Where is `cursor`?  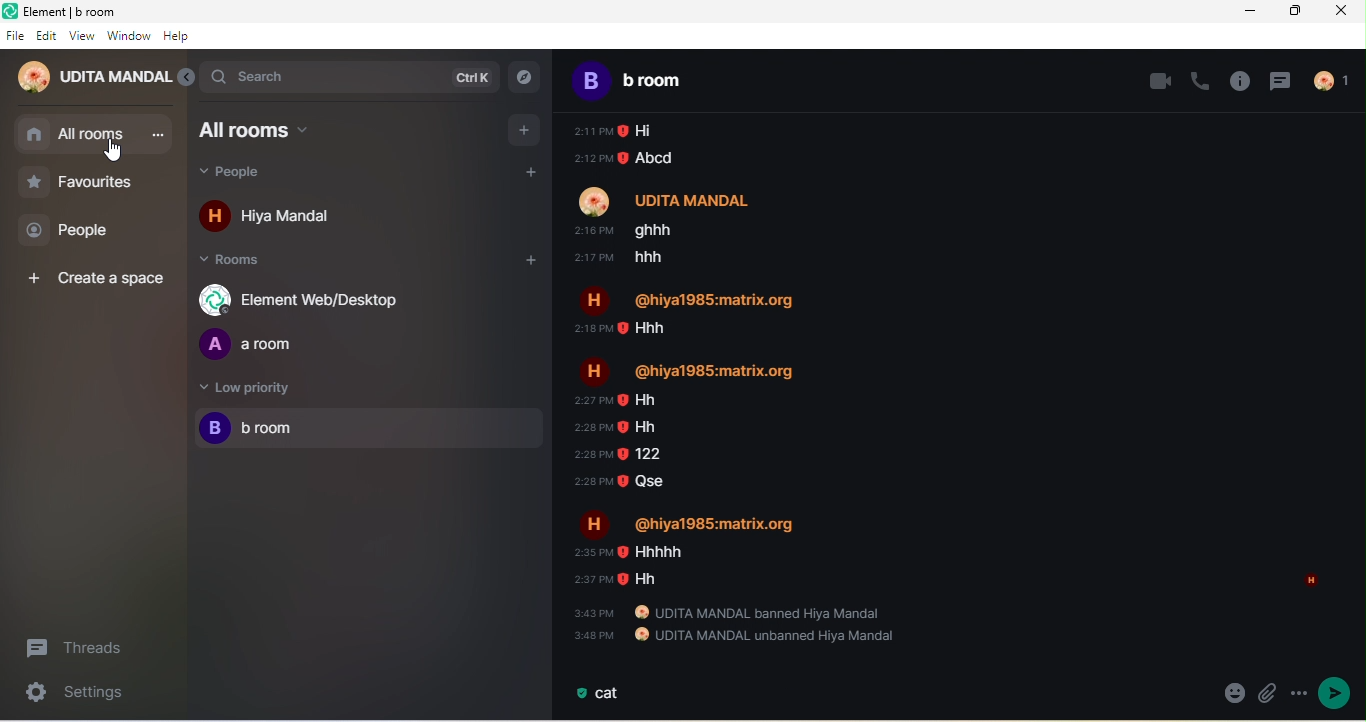 cursor is located at coordinates (116, 152).